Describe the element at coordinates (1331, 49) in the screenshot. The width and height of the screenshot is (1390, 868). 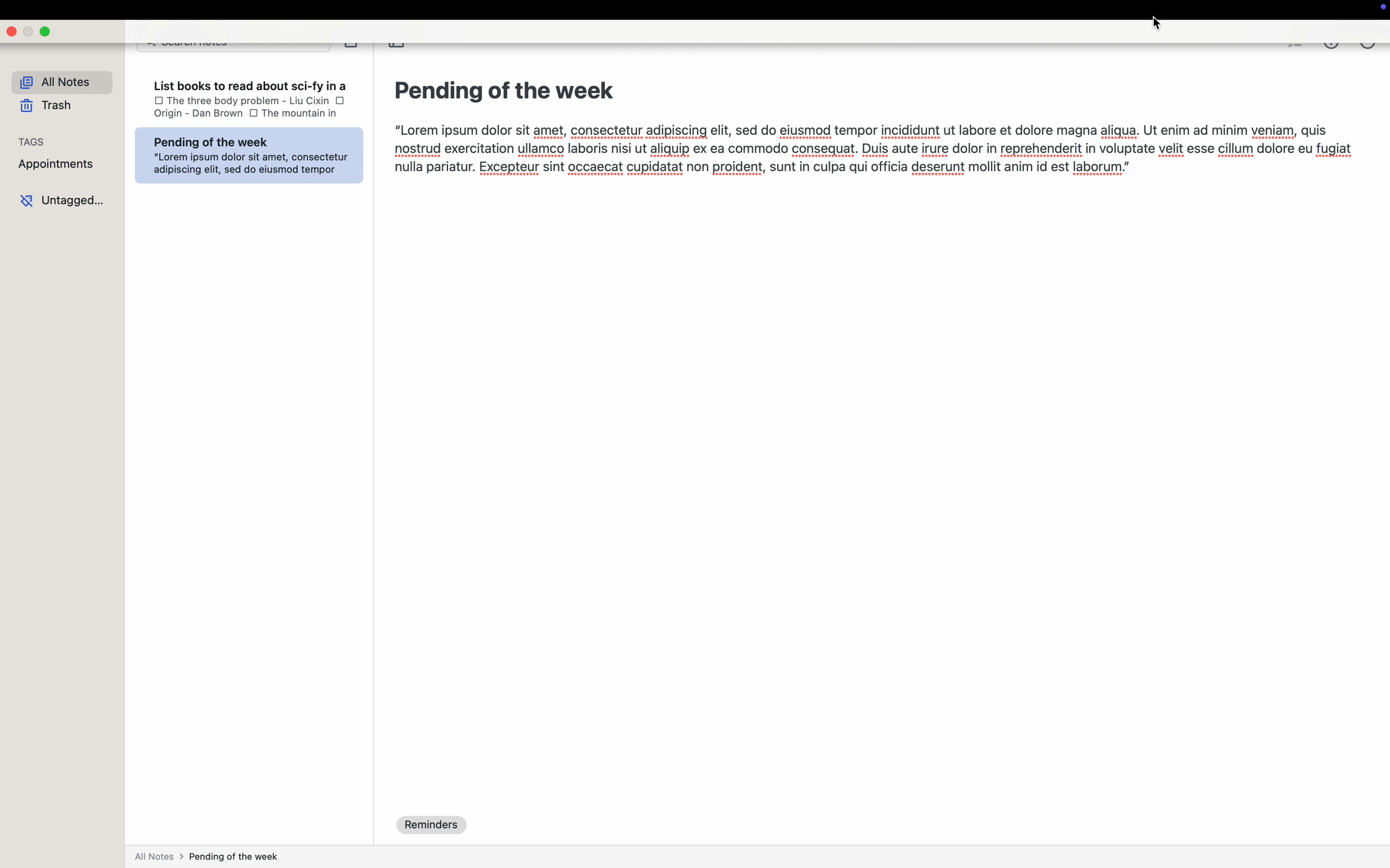
I see `metrics` at that location.